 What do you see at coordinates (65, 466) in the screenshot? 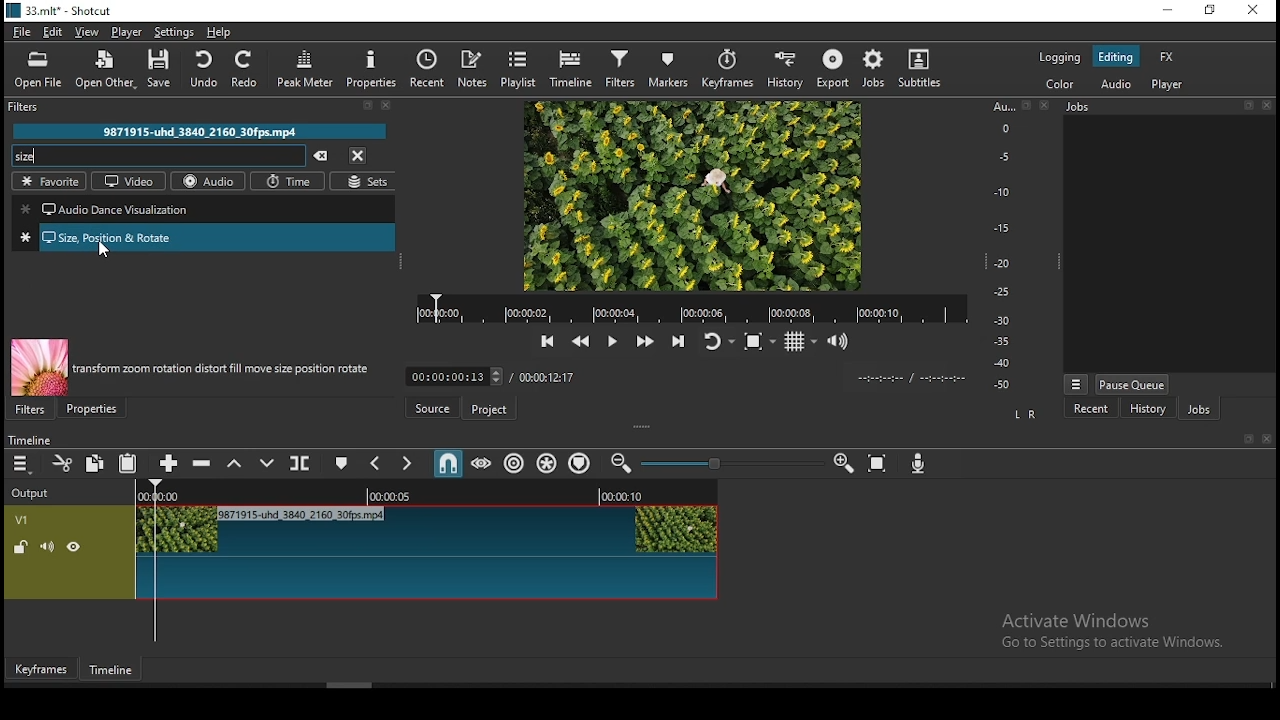
I see `cut` at bounding box center [65, 466].